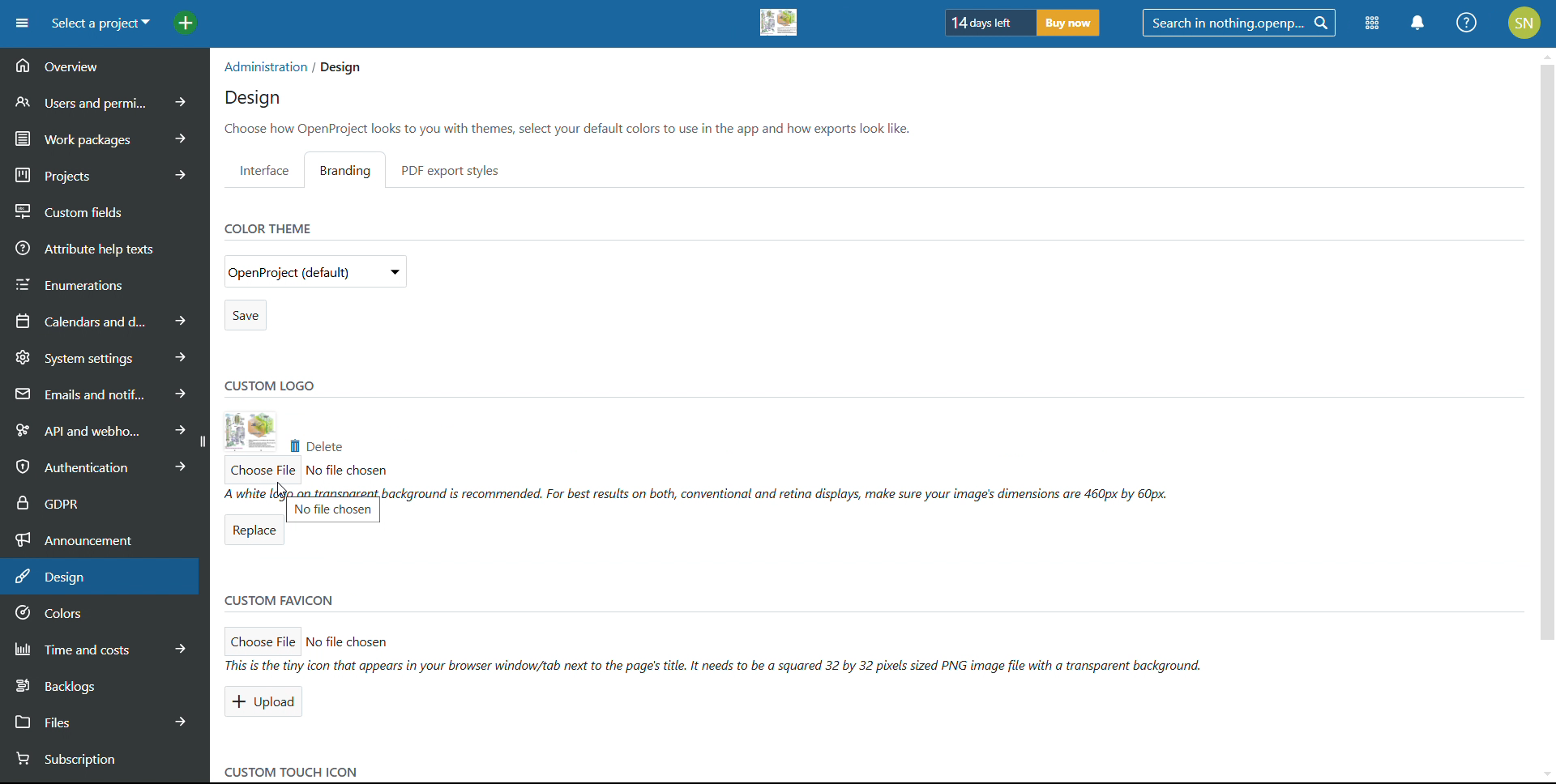 This screenshot has height=784, width=1556. Describe the element at coordinates (202, 441) in the screenshot. I see `collapse` at that location.